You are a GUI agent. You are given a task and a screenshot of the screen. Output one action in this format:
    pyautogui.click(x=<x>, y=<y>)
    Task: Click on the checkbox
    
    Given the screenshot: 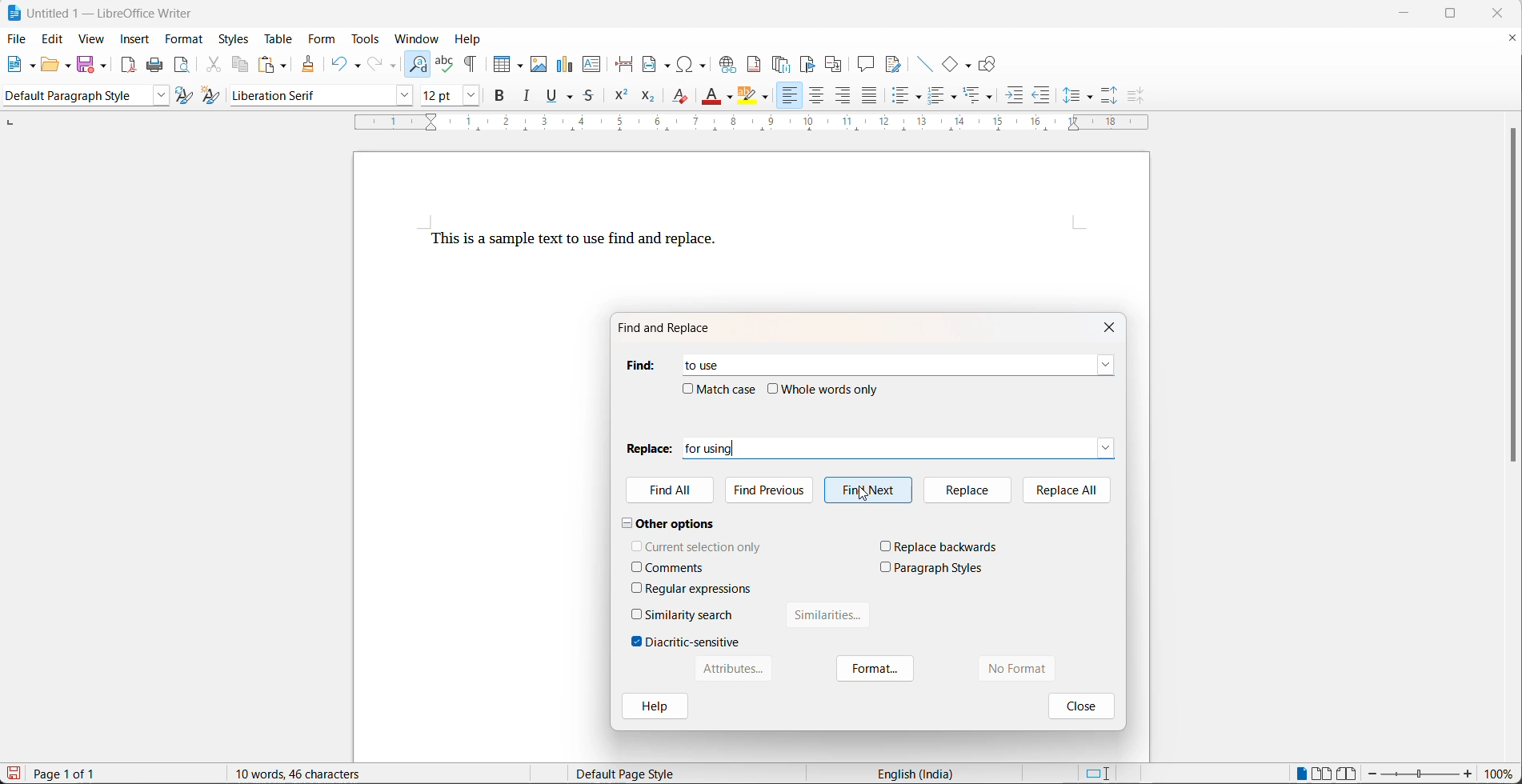 What is the action you would take?
    pyautogui.click(x=687, y=388)
    